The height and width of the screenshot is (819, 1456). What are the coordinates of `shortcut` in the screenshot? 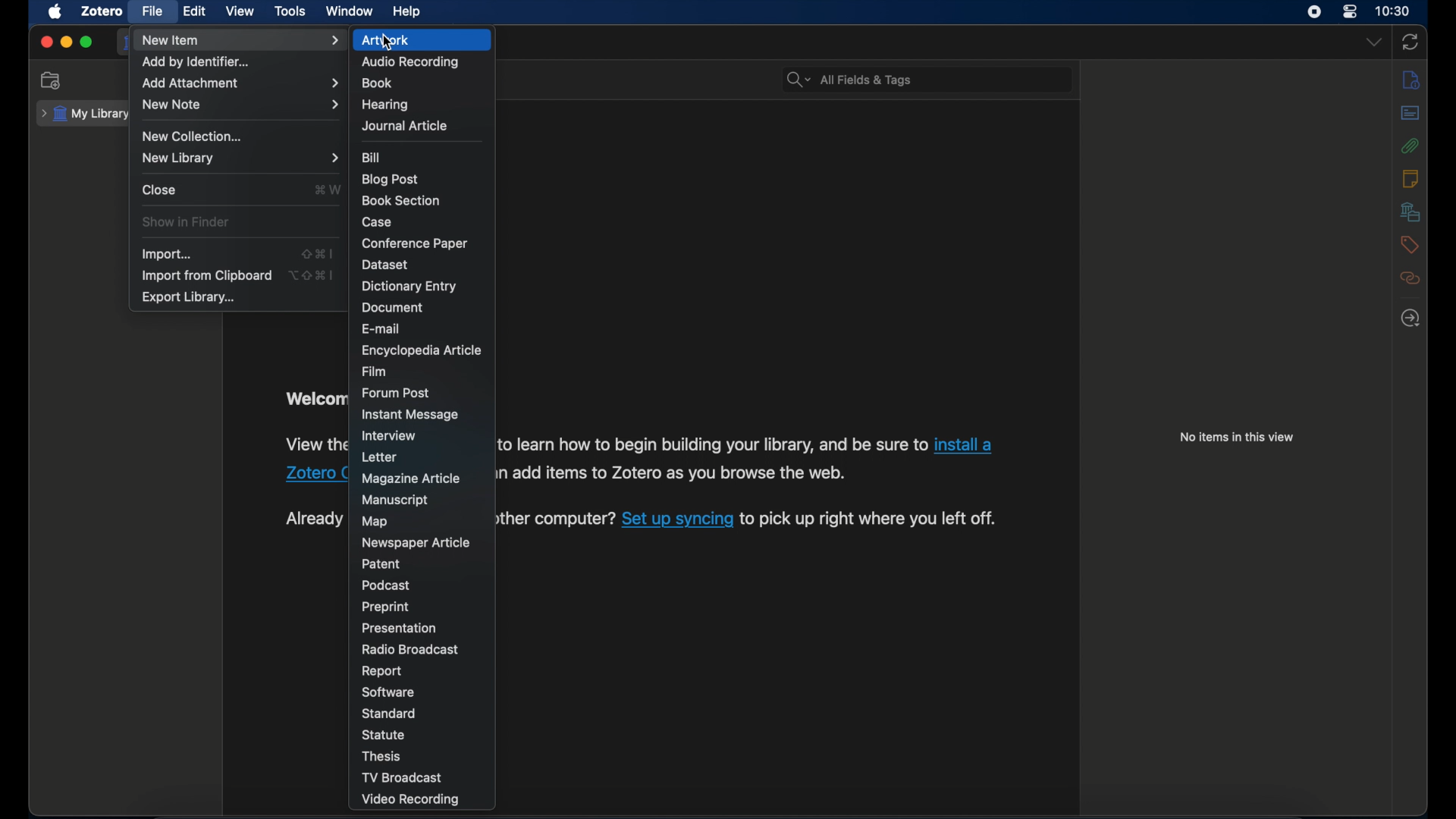 It's located at (328, 189).